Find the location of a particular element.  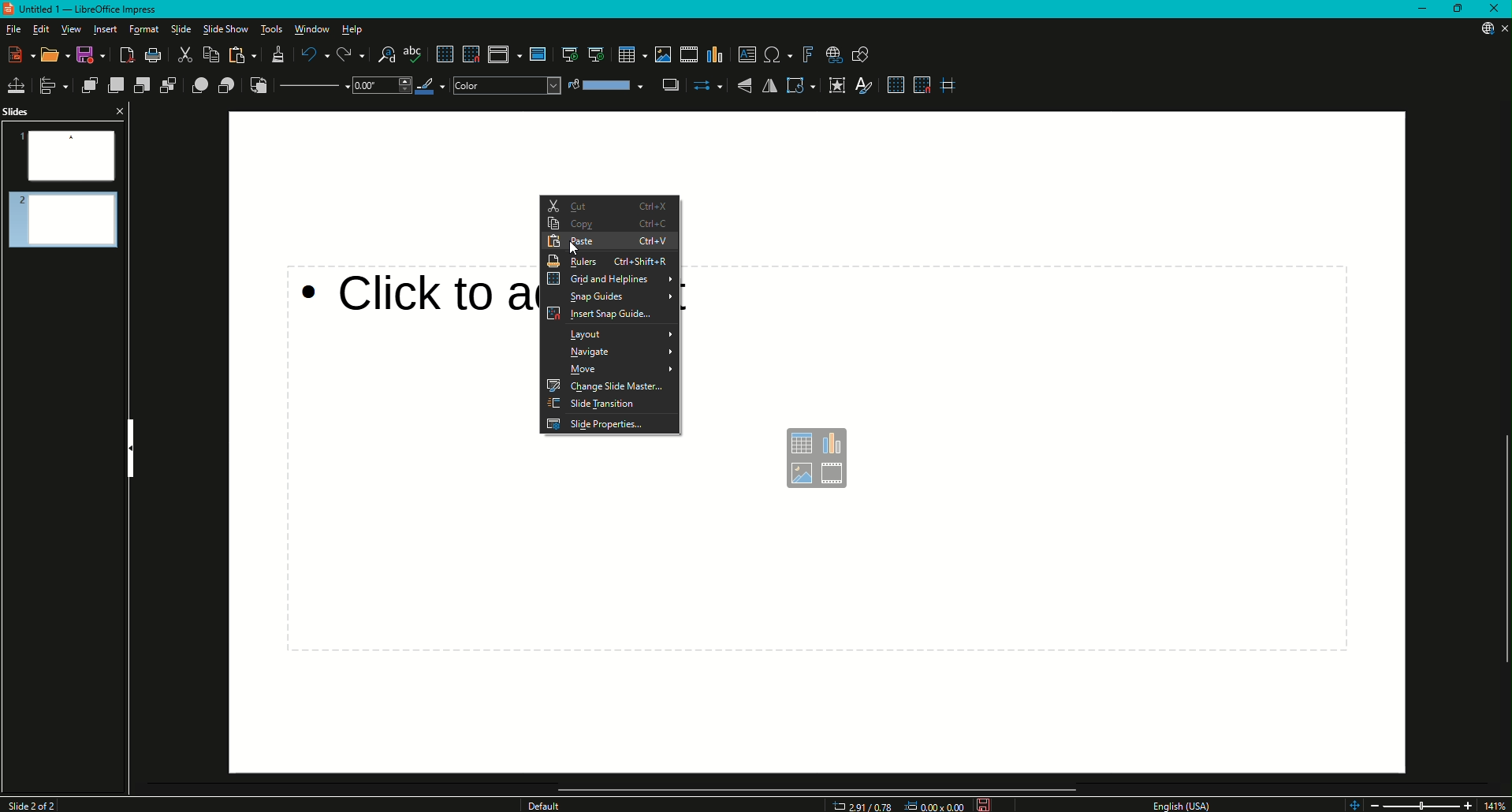

Find and Replace is located at coordinates (379, 52).